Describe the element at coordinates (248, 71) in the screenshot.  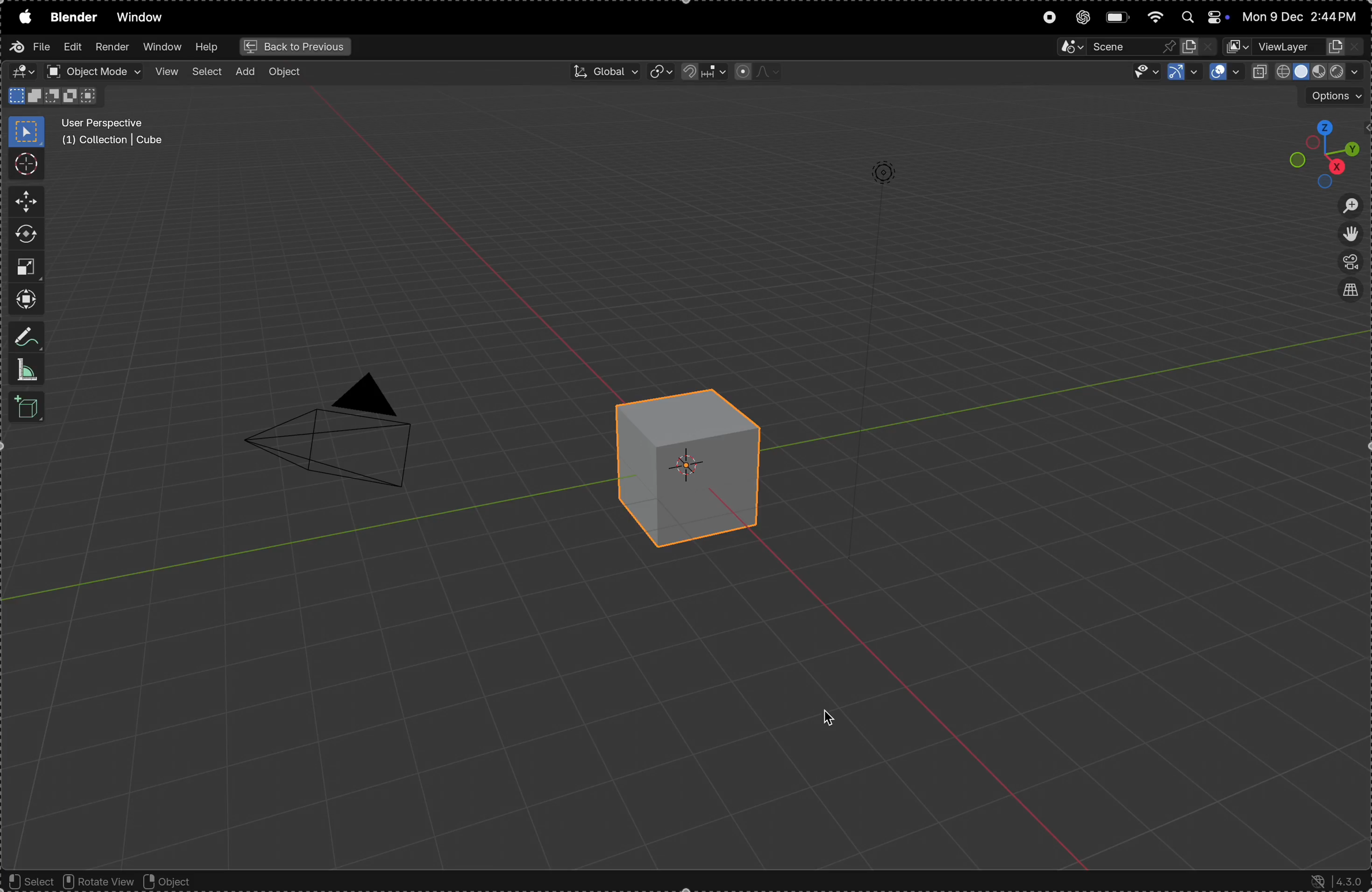
I see `add` at that location.